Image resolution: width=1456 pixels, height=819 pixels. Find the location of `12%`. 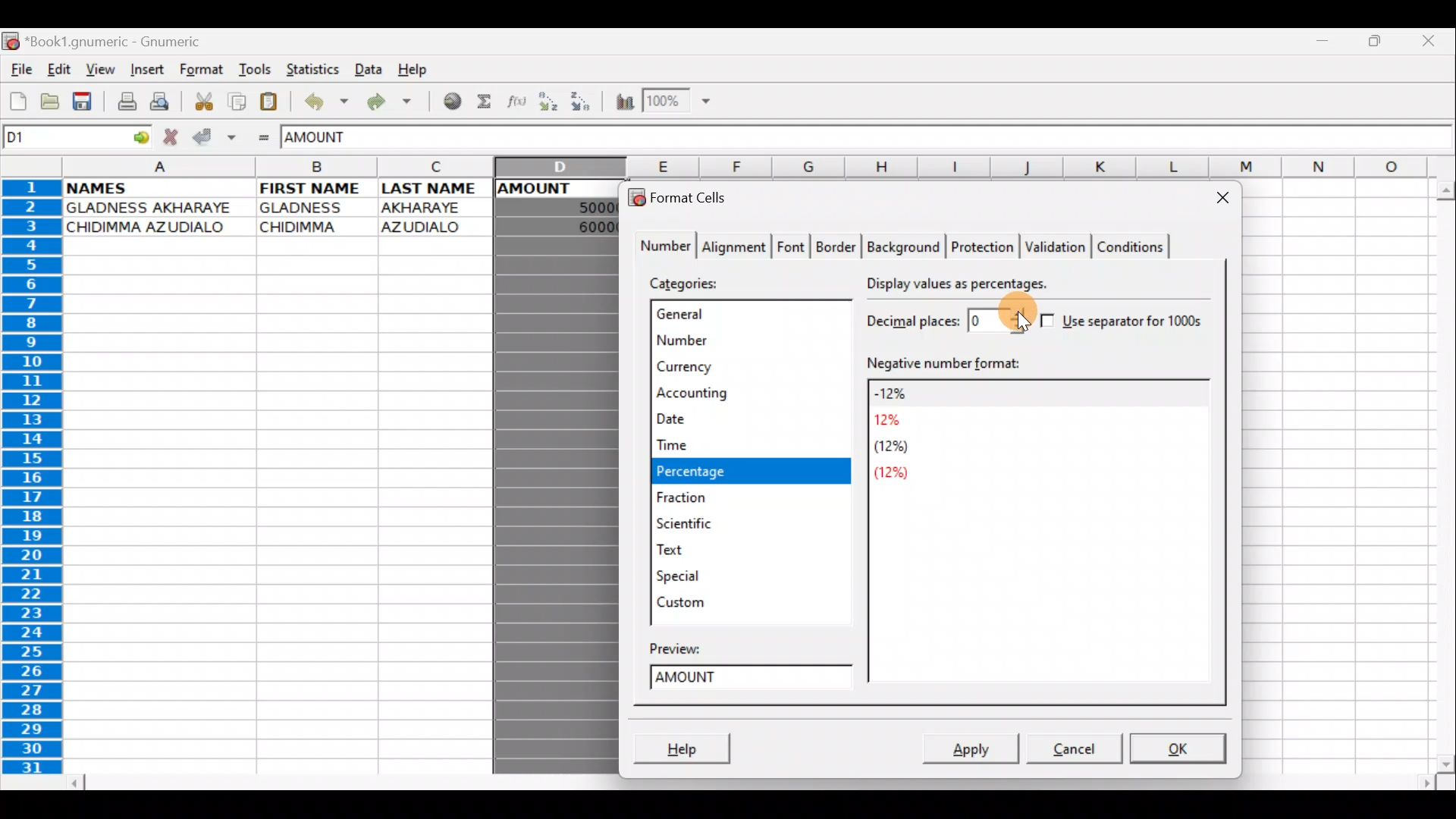

12% is located at coordinates (899, 420).